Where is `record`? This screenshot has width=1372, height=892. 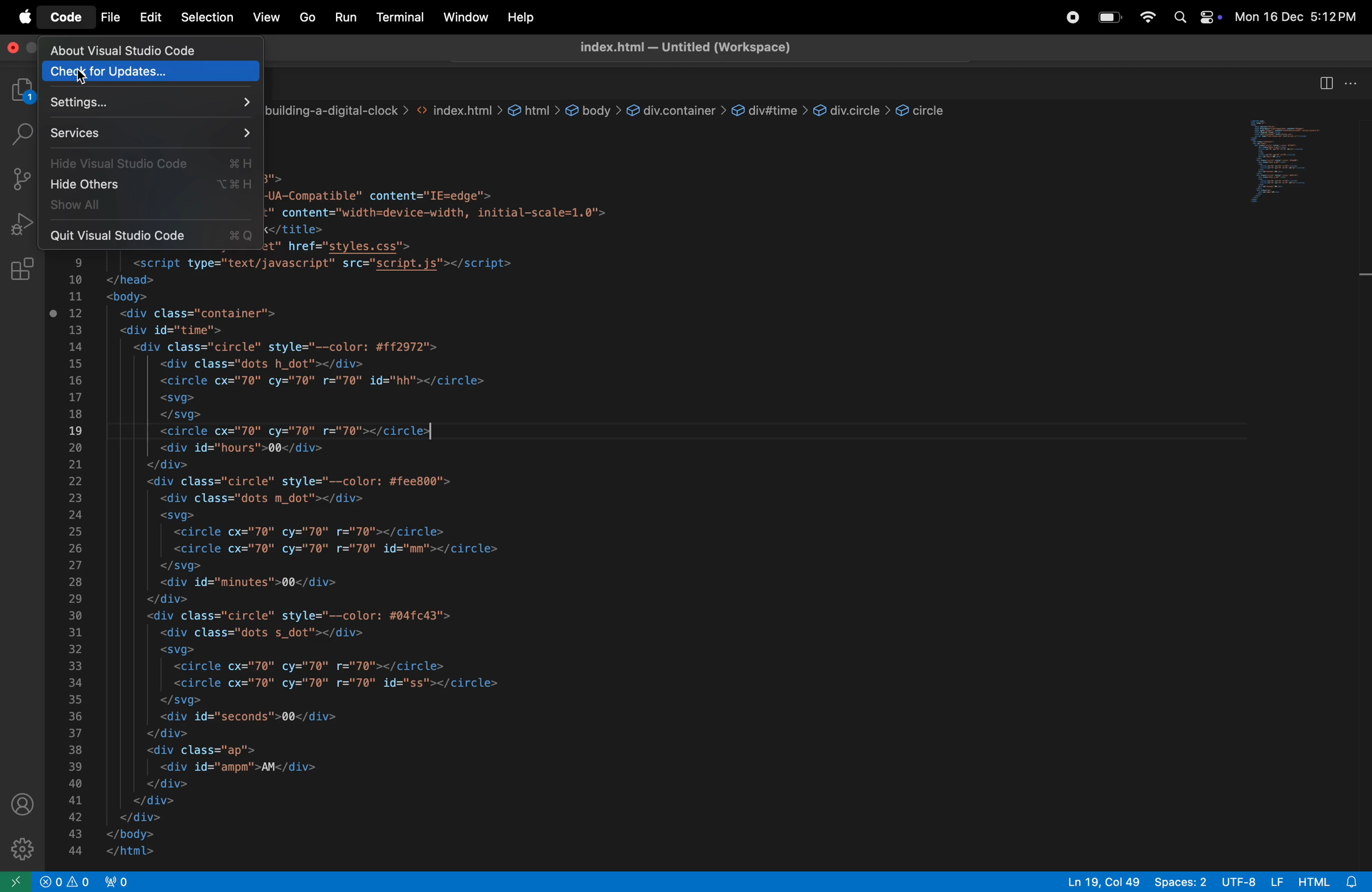
record is located at coordinates (1074, 14).